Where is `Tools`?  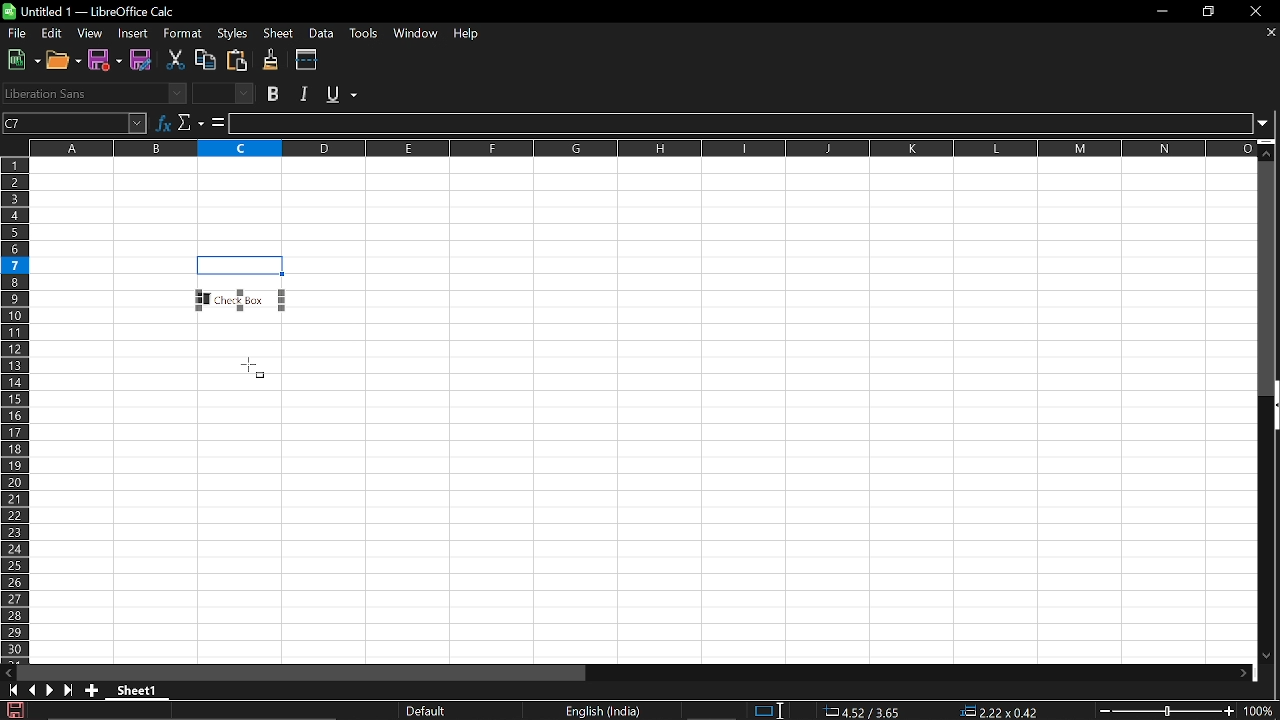
Tools is located at coordinates (362, 34).